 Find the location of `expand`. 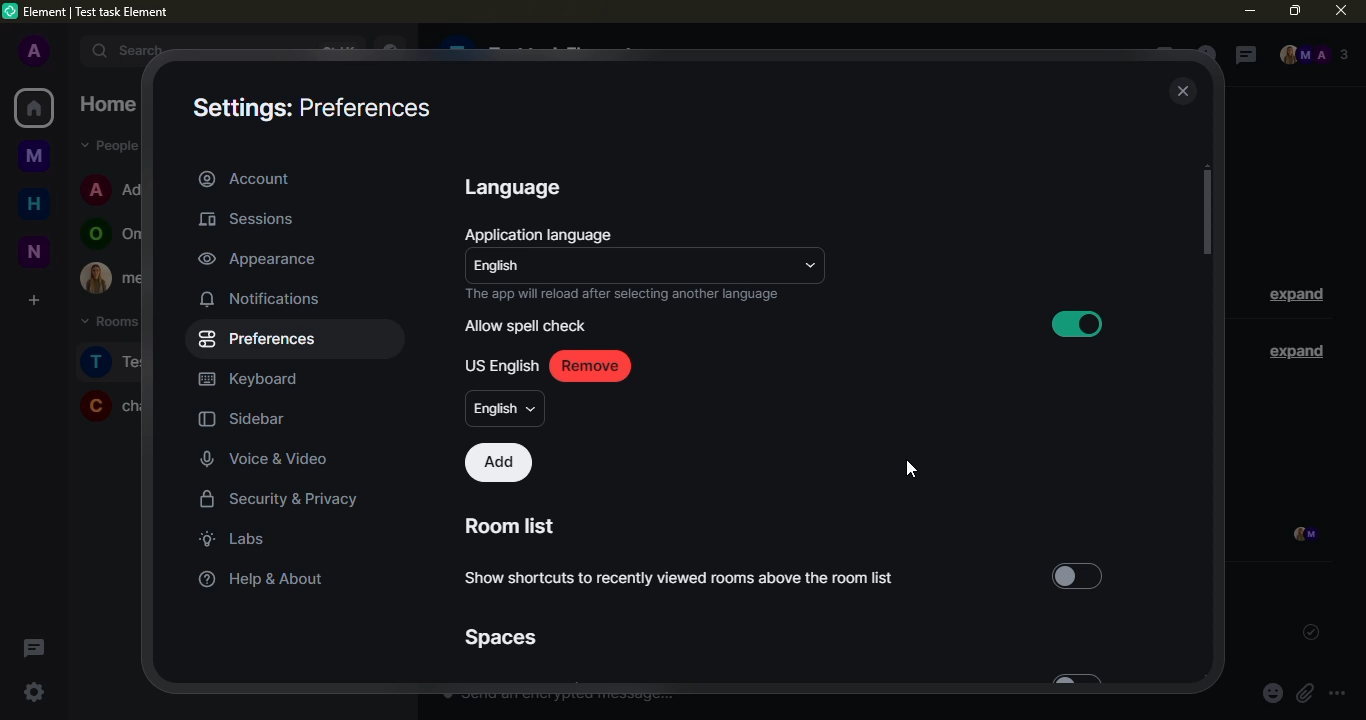

expand is located at coordinates (1292, 350).